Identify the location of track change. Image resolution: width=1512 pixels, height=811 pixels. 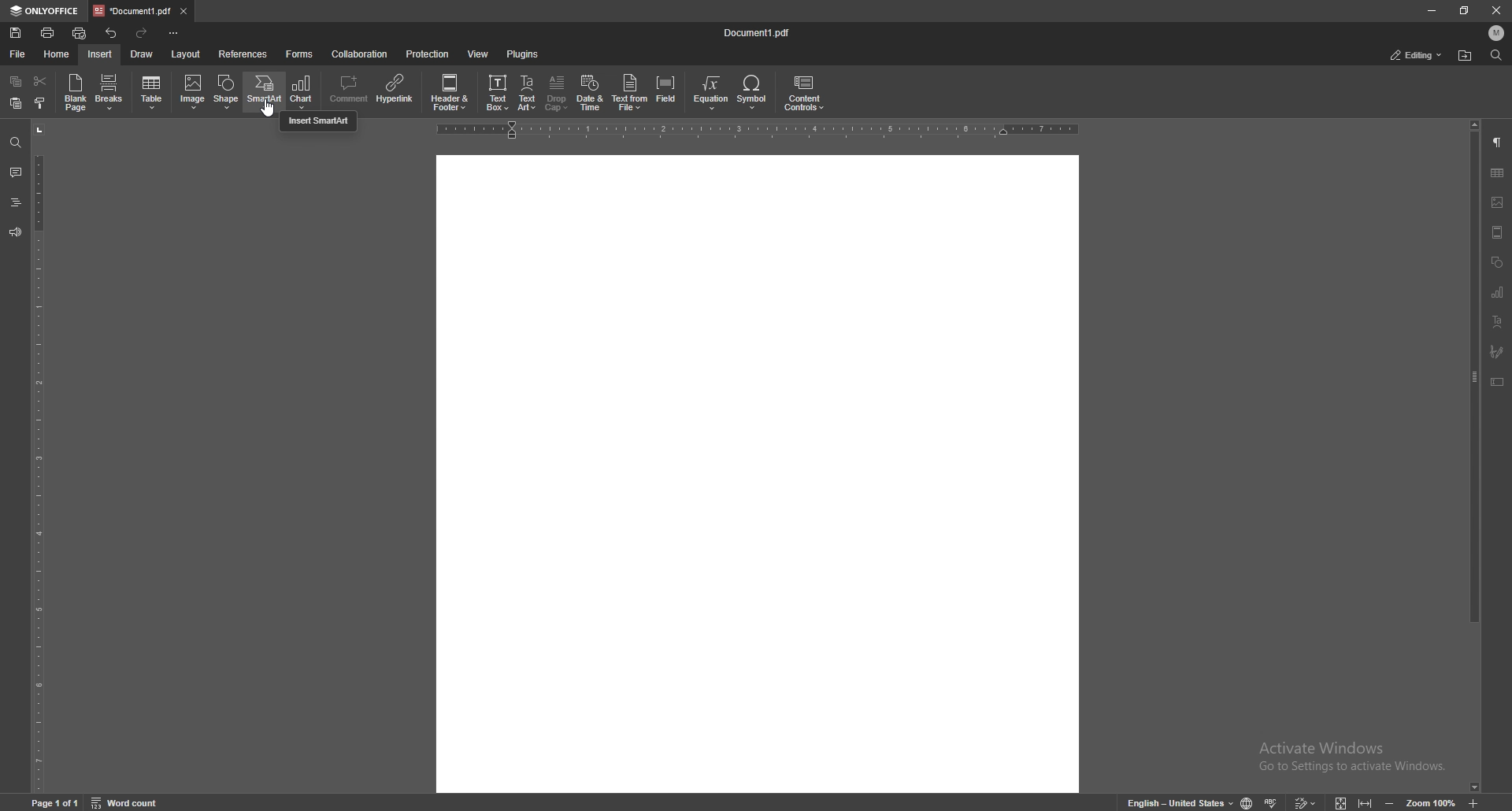
(1304, 802).